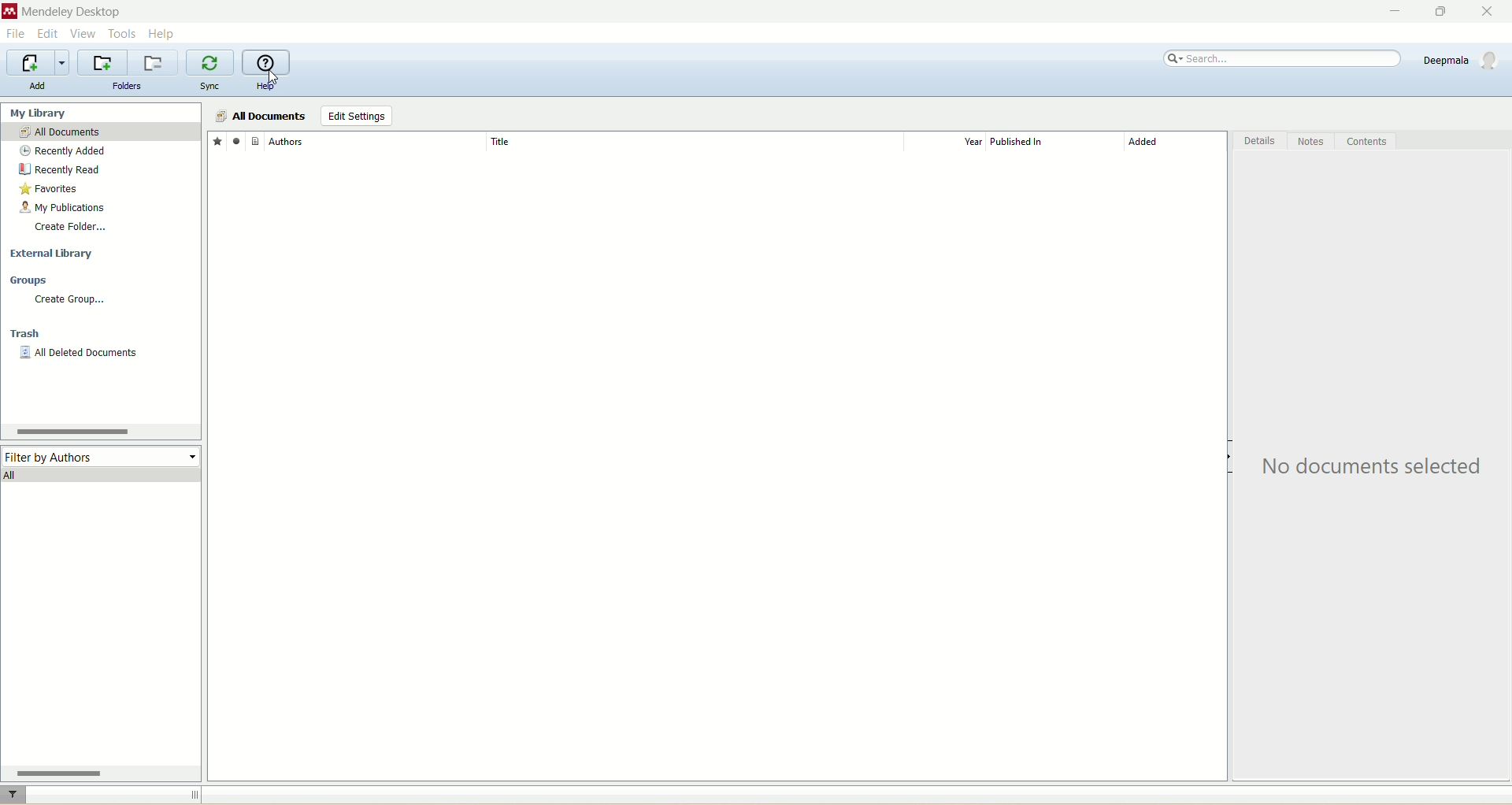 This screenshot has width=1512, height=805. What do you see at coordinates (210, 63) in the screenshot?
I see `synchronize library with mendeley web` at bounding box center [210, 63].